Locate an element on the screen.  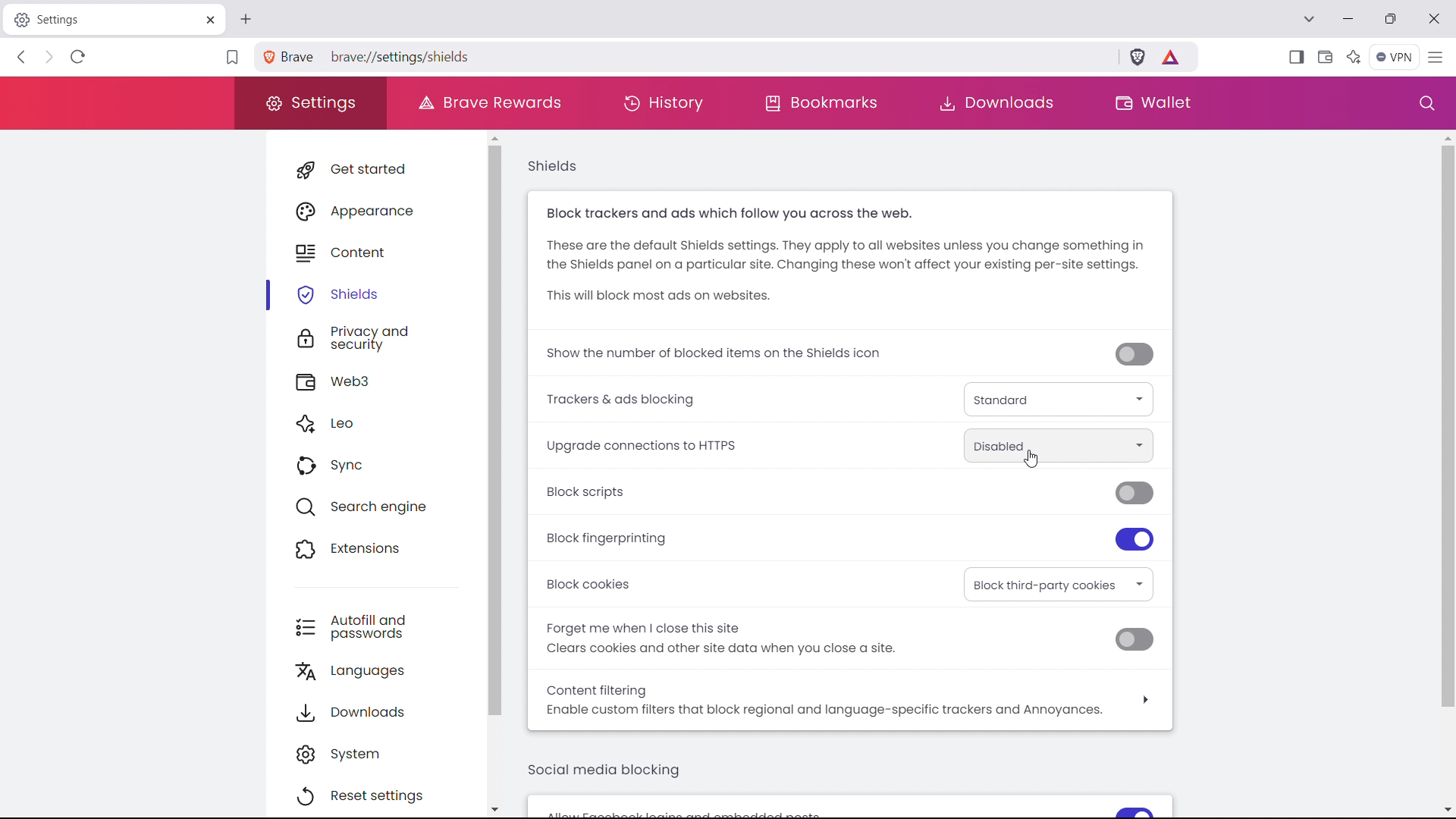
cursor is located at coordinates (1032, 460).